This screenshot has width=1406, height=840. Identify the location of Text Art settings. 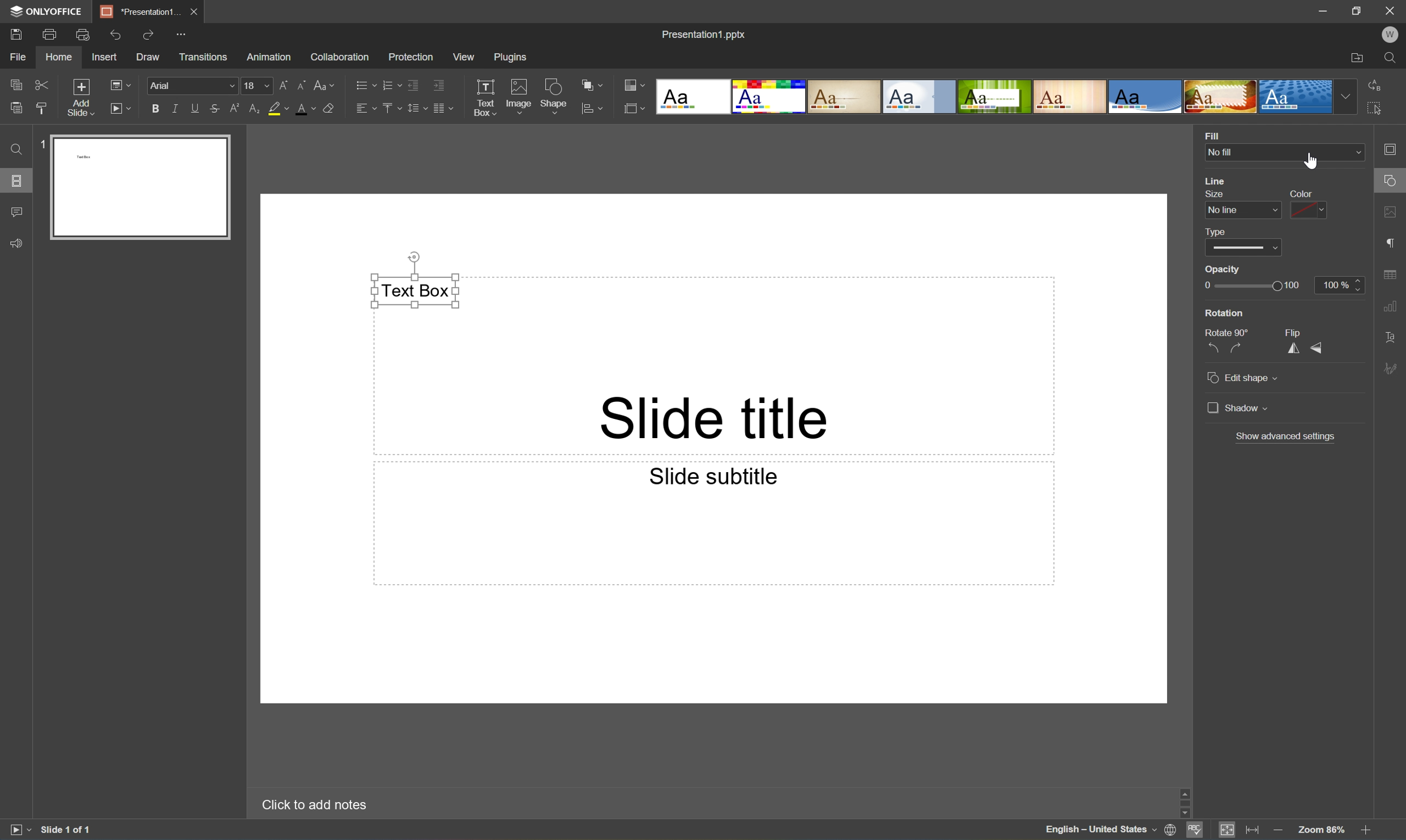
(1394, 337).